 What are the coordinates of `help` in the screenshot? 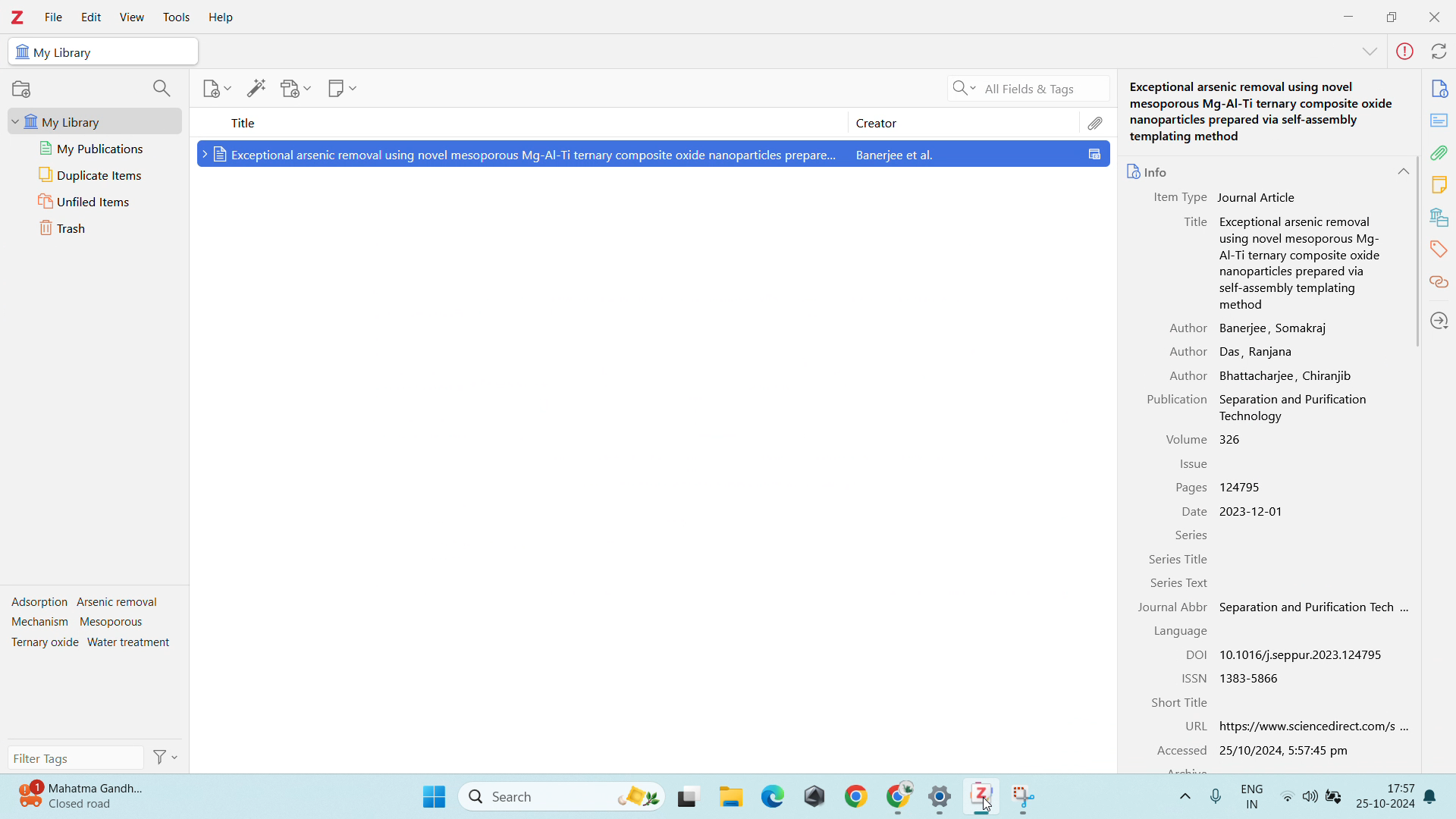 It's located at (221, 18).